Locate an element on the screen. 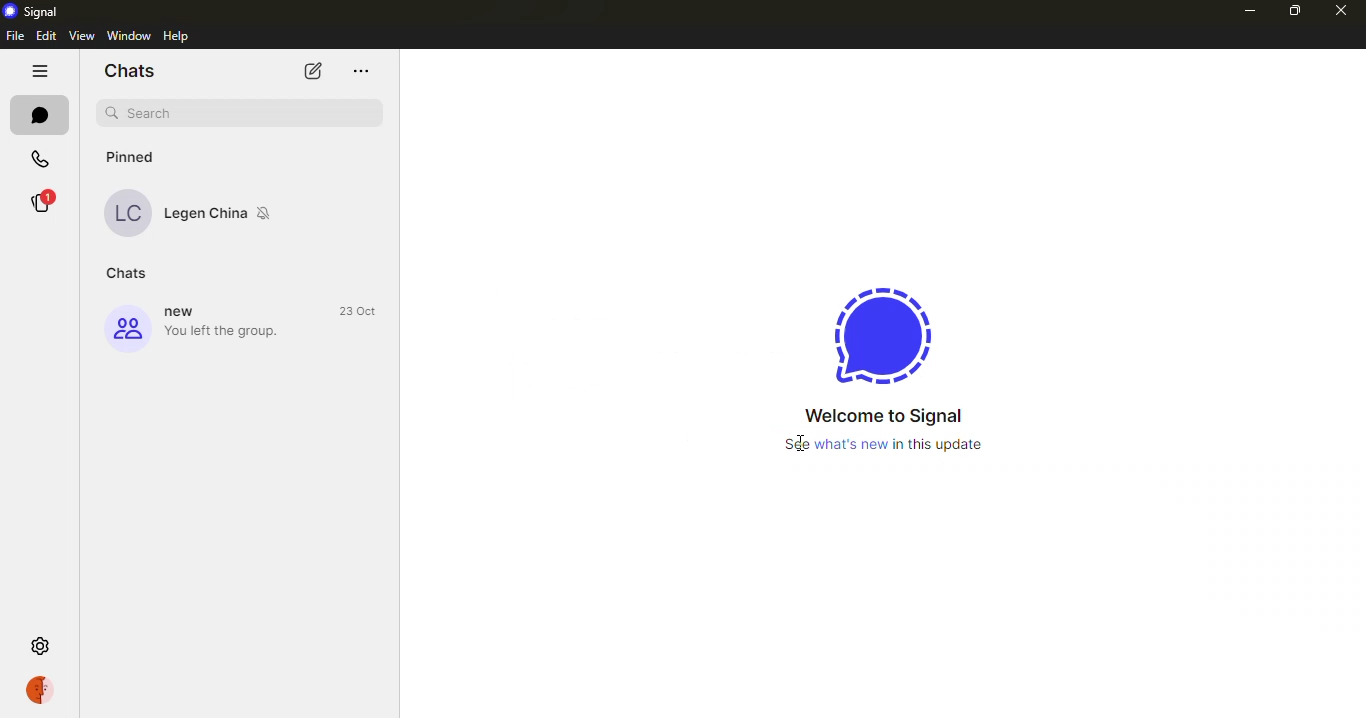 This screenshot has width=1366, height=718. sent is located at coordinates (365, 215).